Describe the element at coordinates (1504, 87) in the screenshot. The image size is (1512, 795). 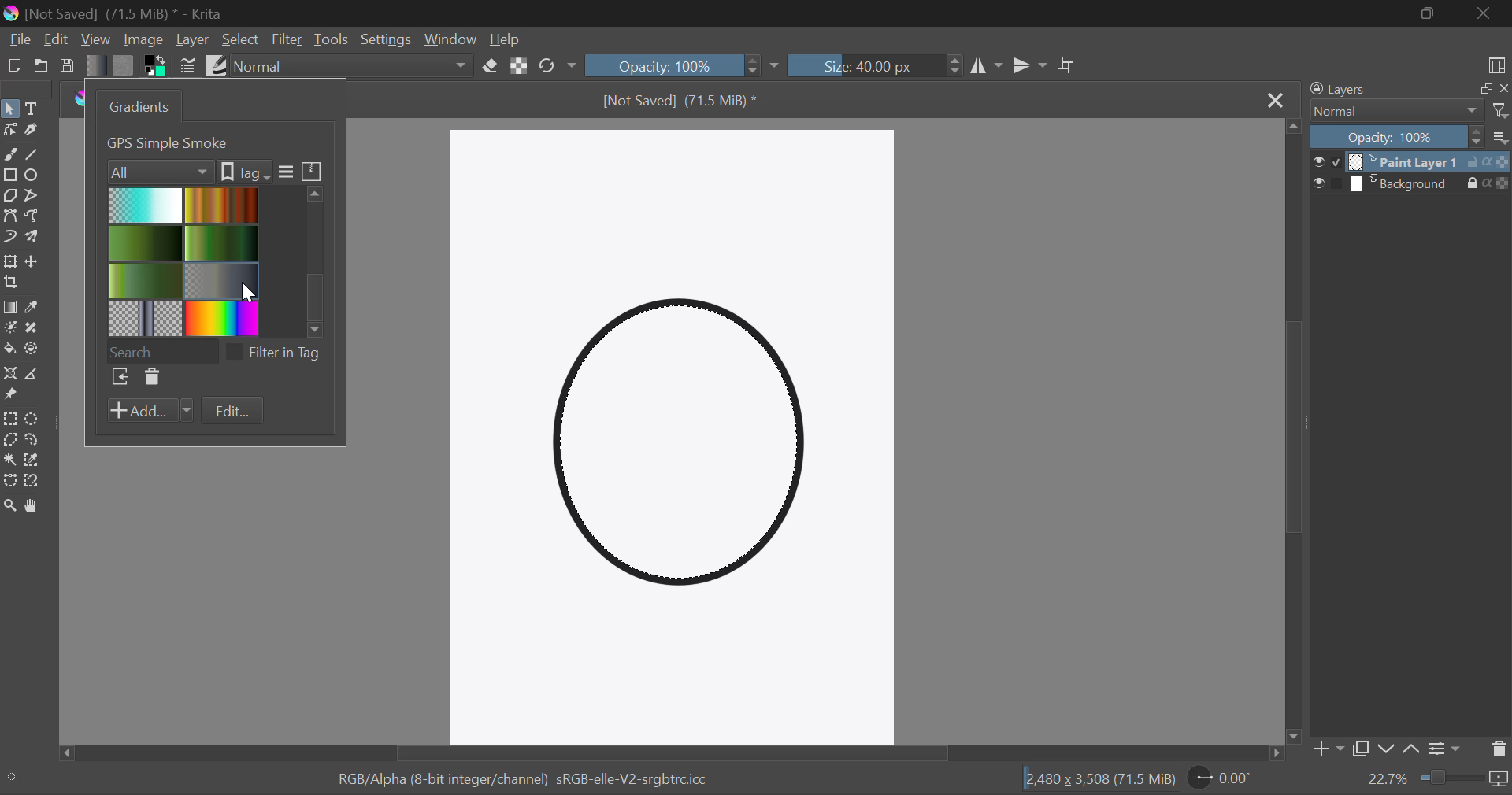
I see `close` at that location.